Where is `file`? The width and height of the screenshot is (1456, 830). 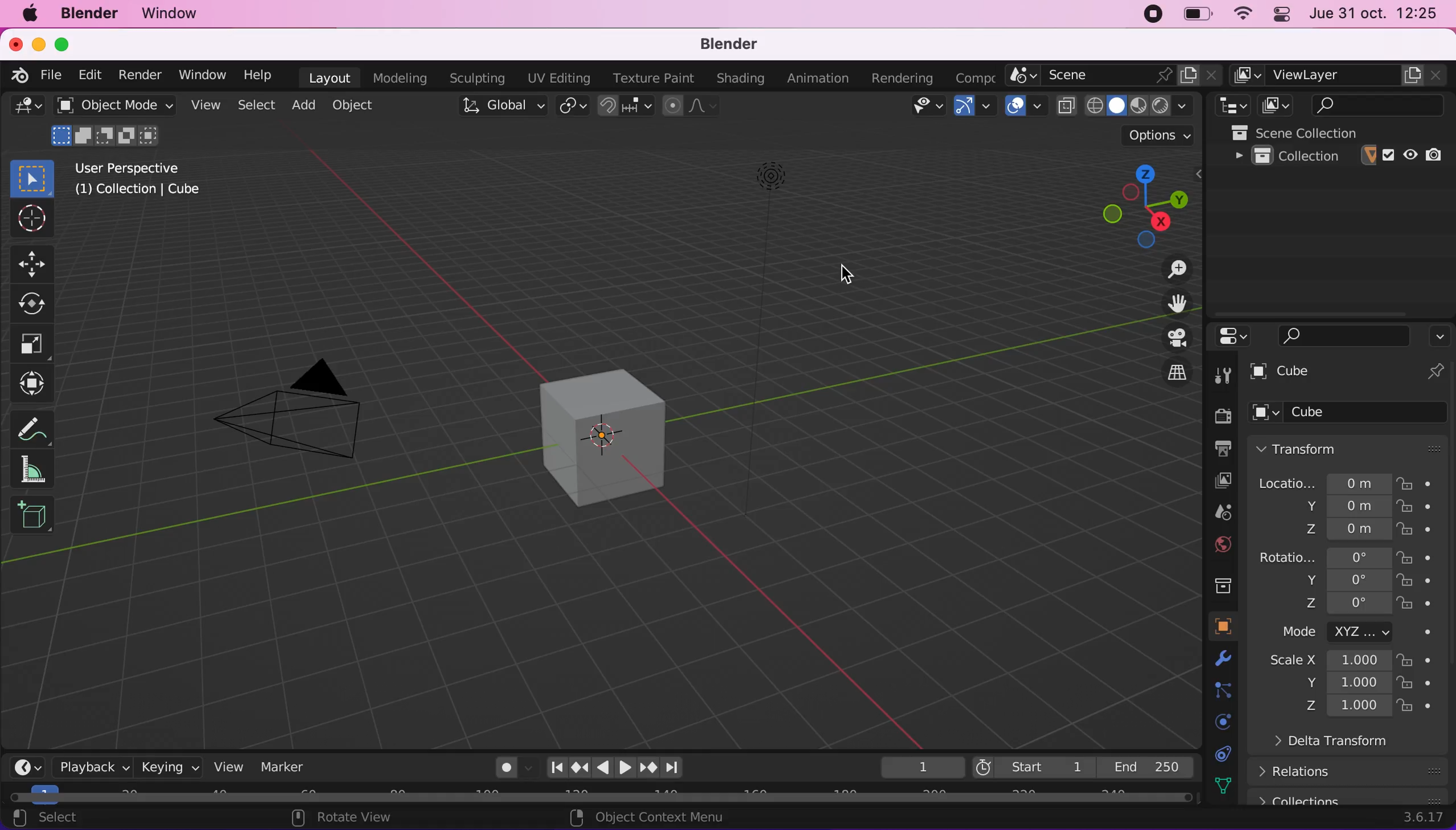
file is located at coordinates (55, 75).